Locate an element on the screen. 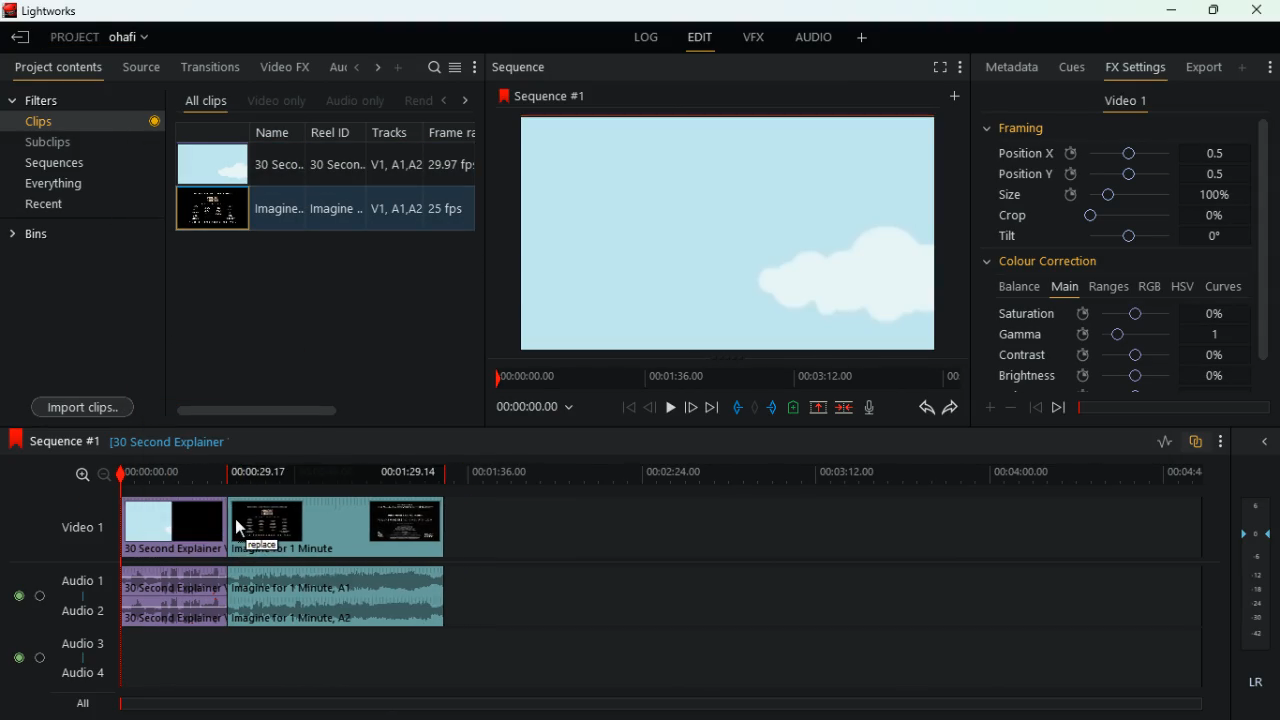 The width and height of the screenshot is (1280, 720). lr is located at coordinates (1254, 683).